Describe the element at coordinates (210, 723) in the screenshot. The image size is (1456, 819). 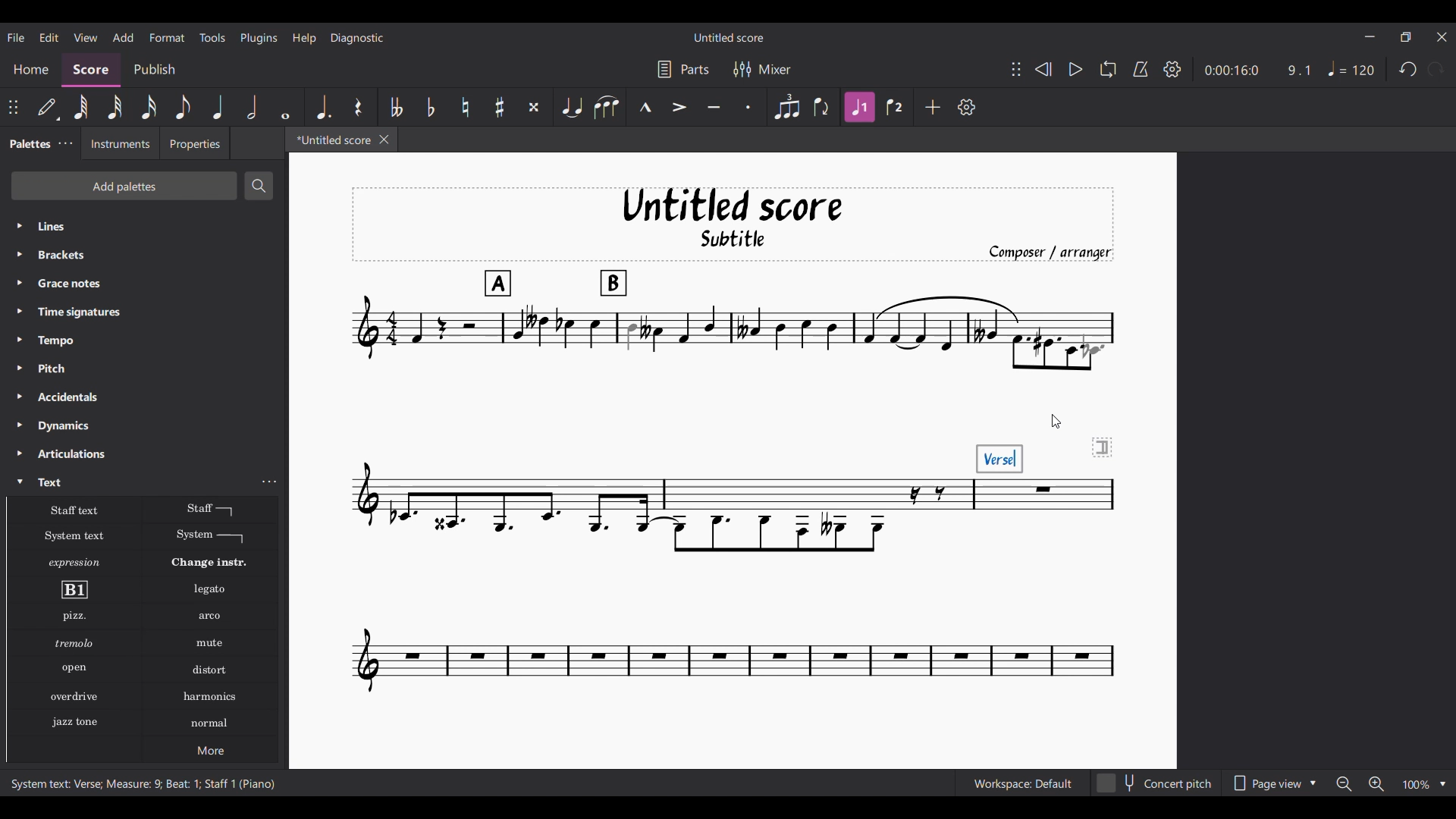
I see `Normal` at that location.